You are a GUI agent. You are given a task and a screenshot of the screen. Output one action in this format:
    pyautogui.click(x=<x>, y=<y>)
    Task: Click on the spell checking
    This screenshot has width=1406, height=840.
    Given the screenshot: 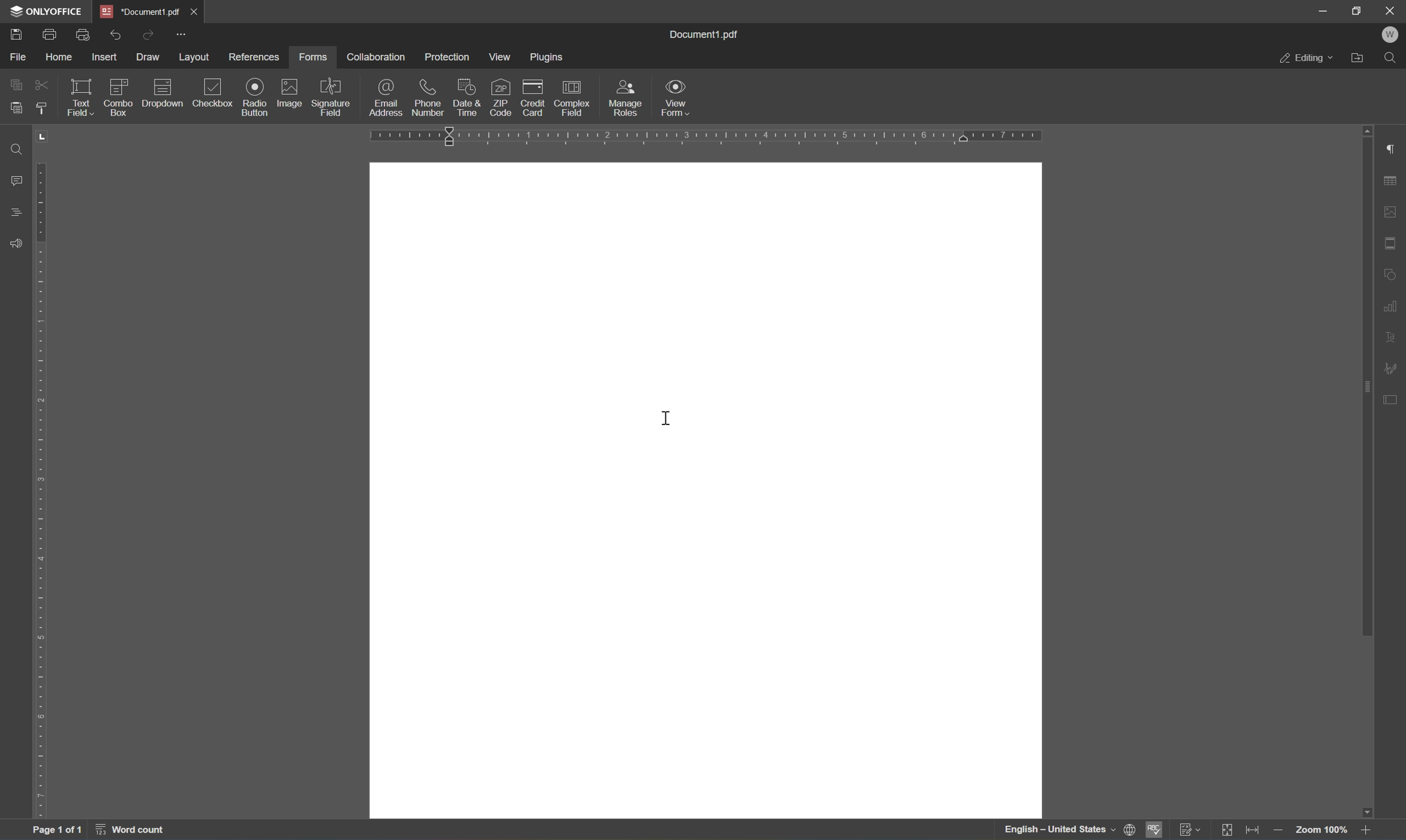 What is the action you would take?
    pyautogui.click(x=1155, y=830)
    